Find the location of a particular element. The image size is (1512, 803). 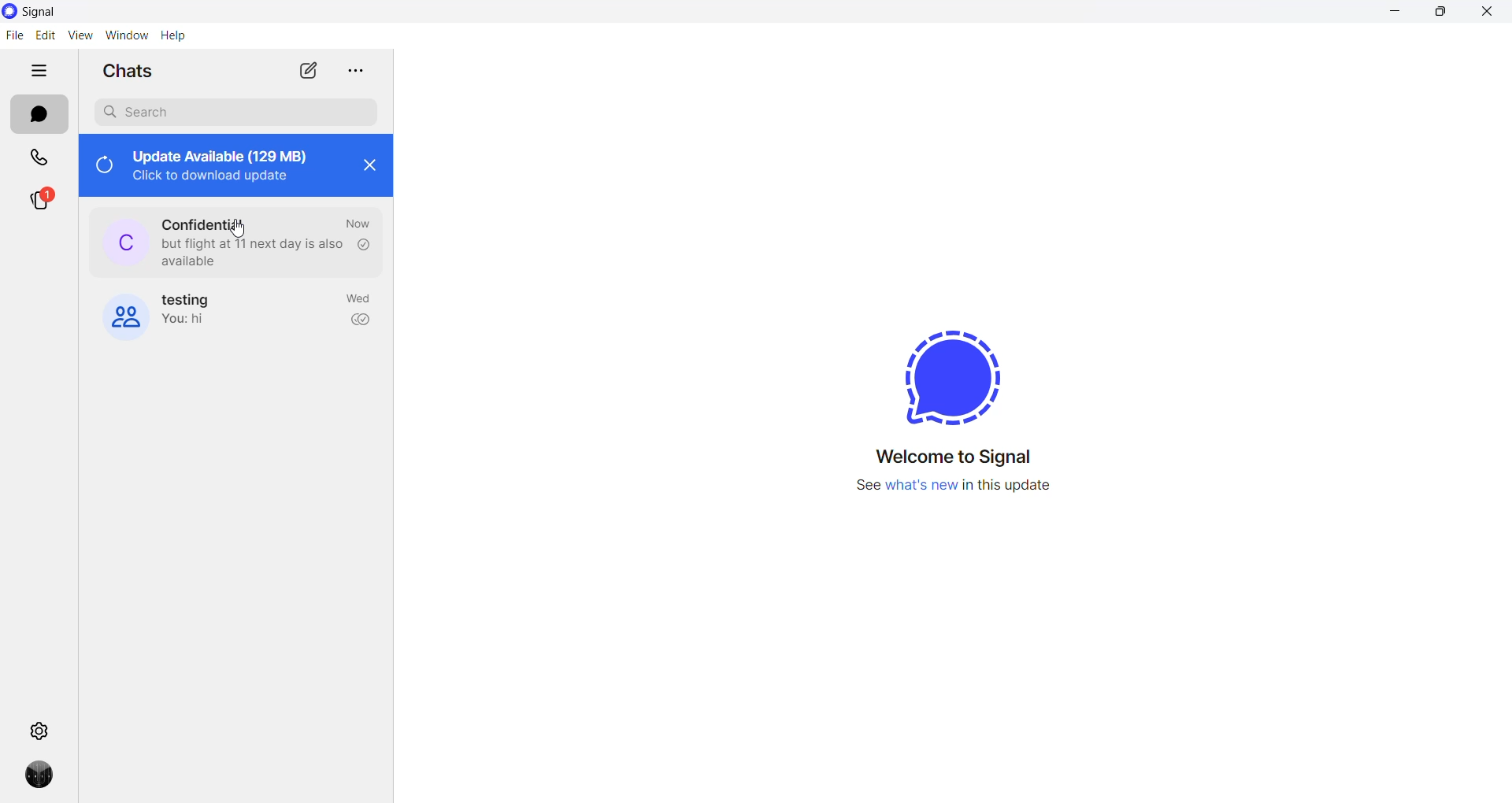

close is located at coordinates (1488, 13).